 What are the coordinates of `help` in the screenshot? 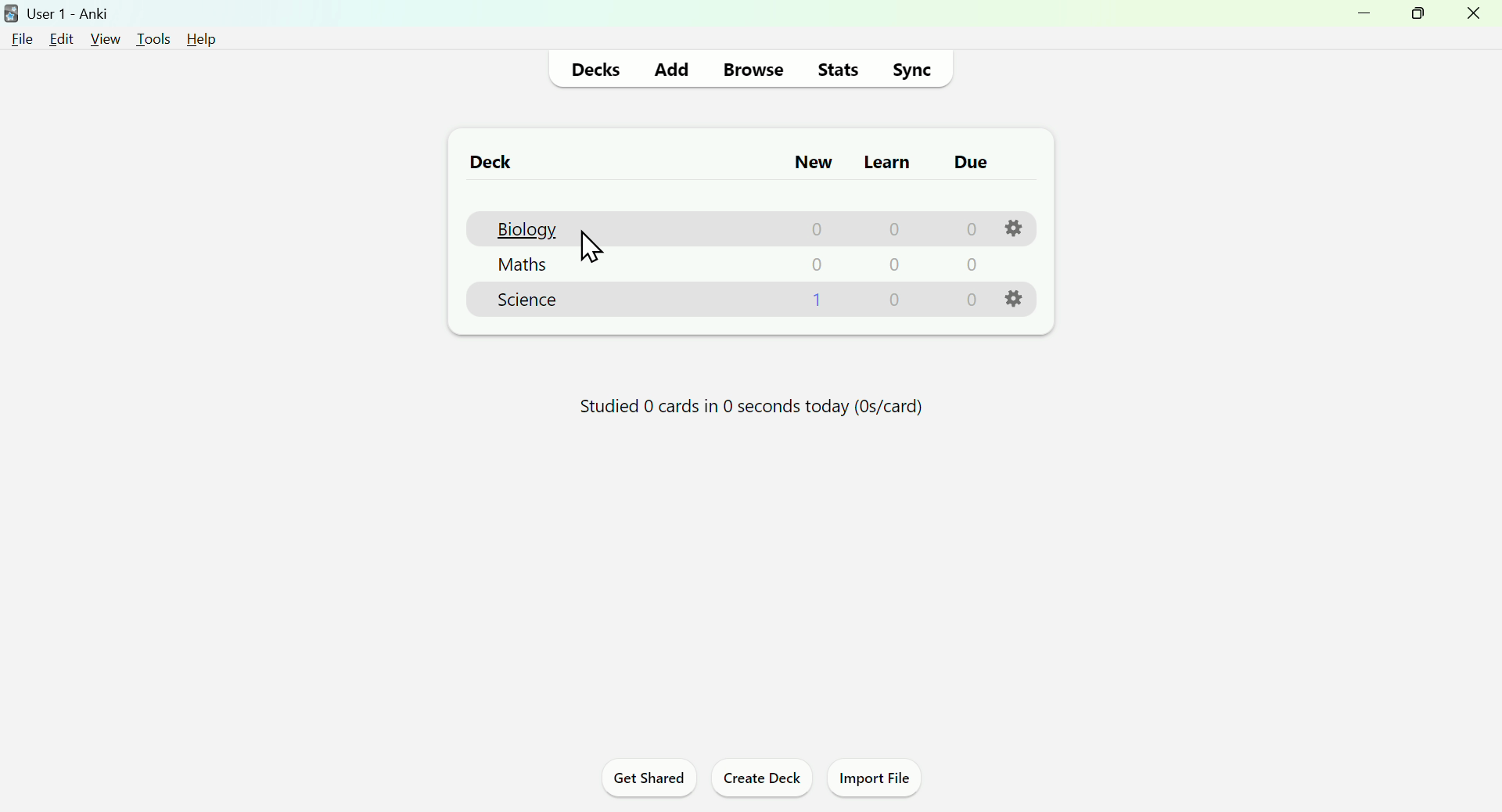 It's located at (204, 41).